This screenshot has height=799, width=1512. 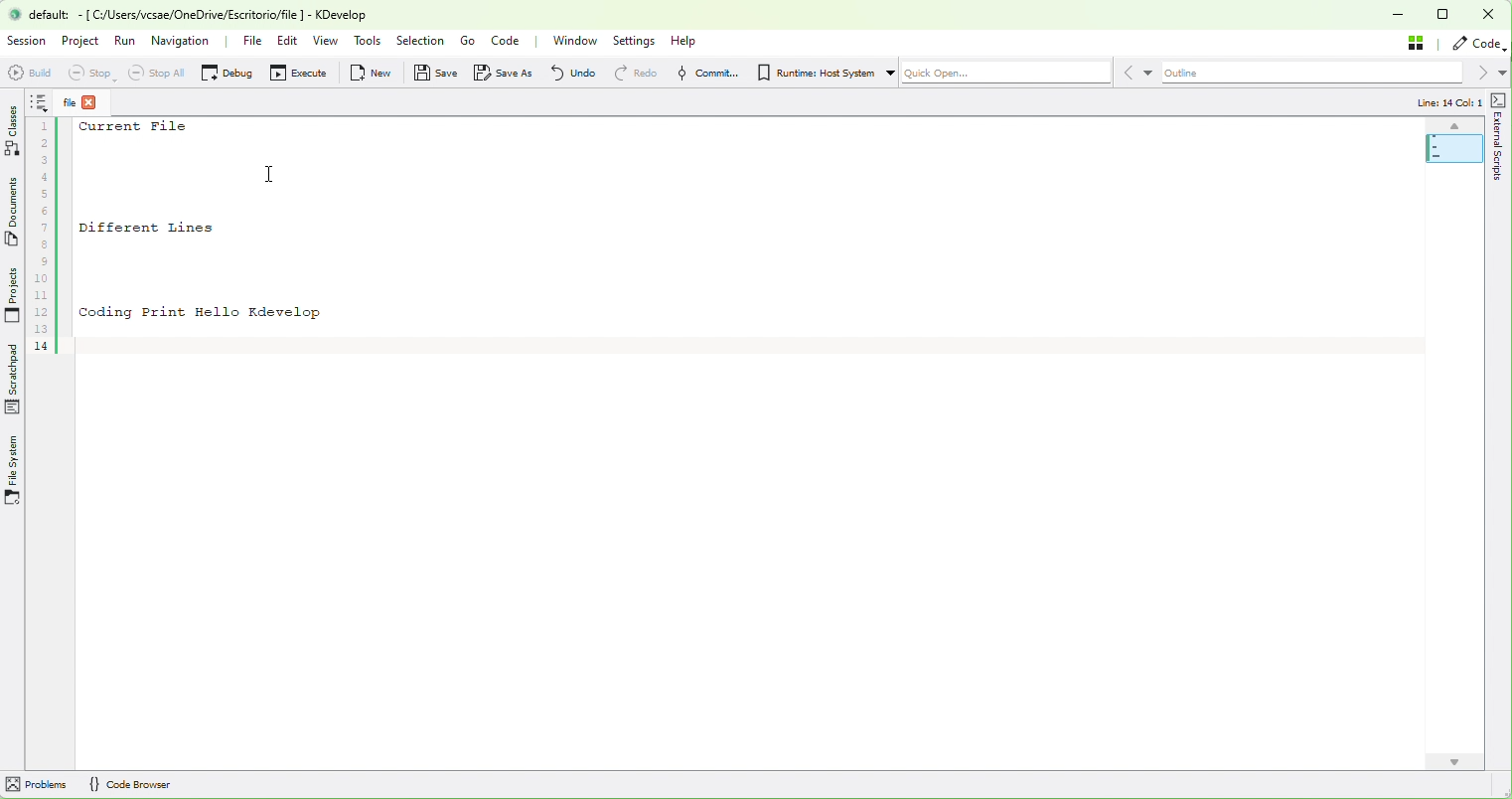 What do you see at coordinates (83, 74) in the screenshot?
I see `Stop` at bounding box center [83, 74].